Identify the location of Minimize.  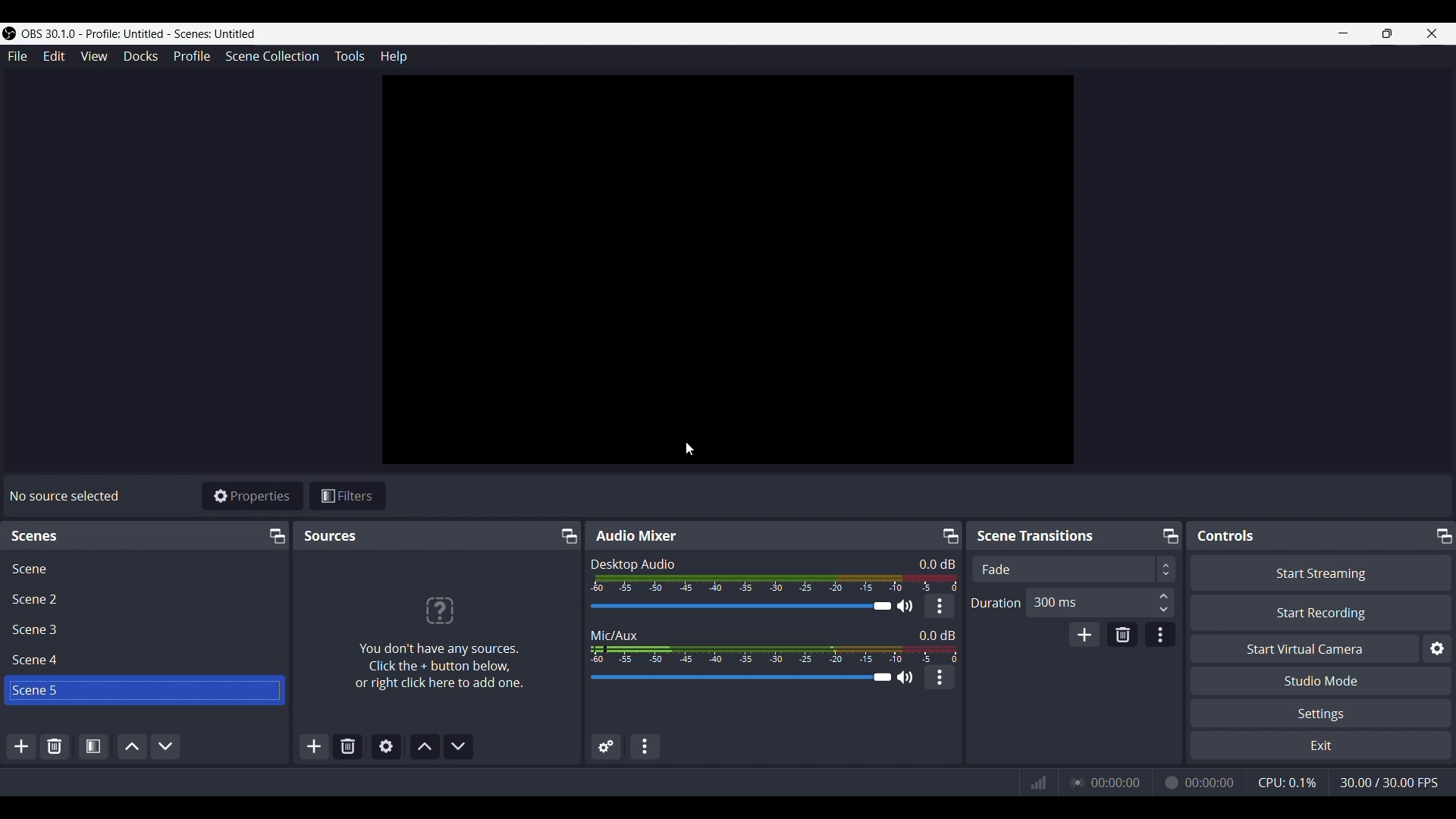
(948, 535).